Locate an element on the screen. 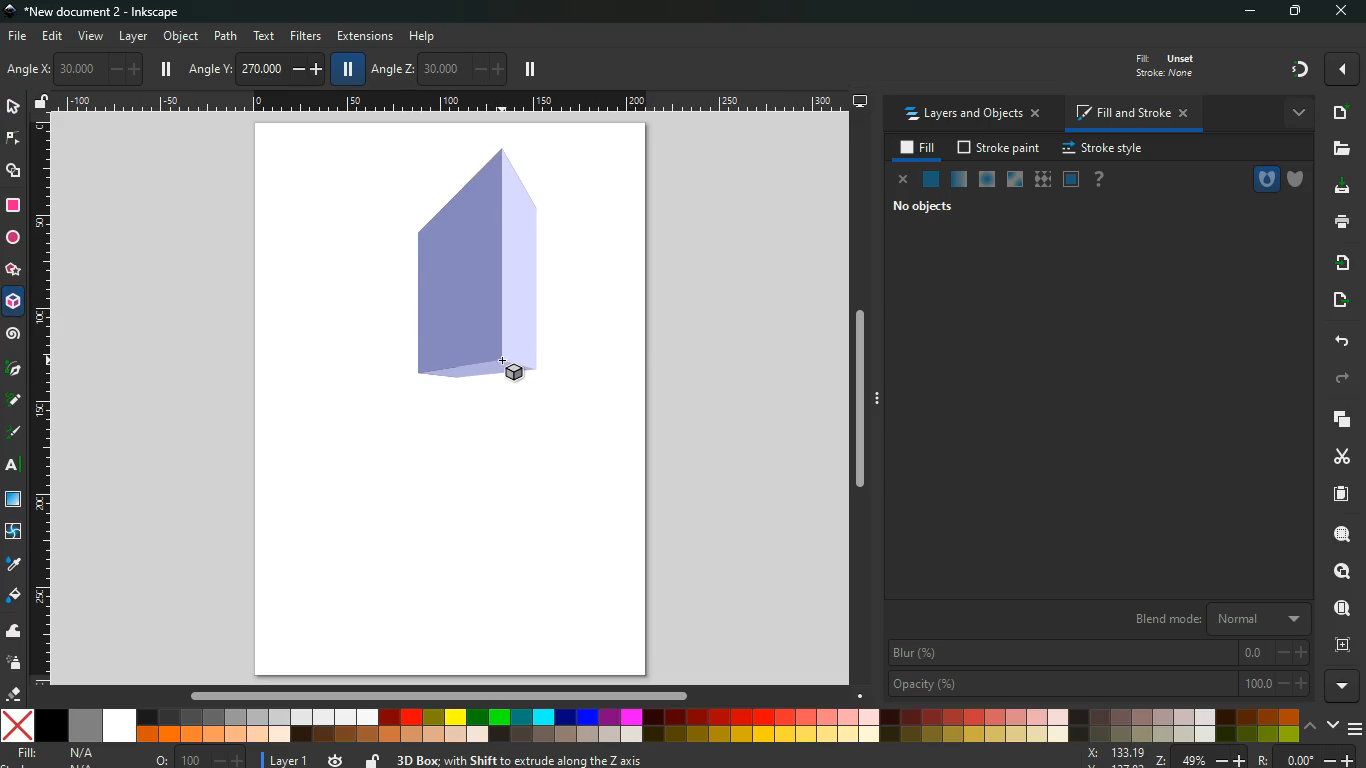  eraser is located at coordinates (16, 696).